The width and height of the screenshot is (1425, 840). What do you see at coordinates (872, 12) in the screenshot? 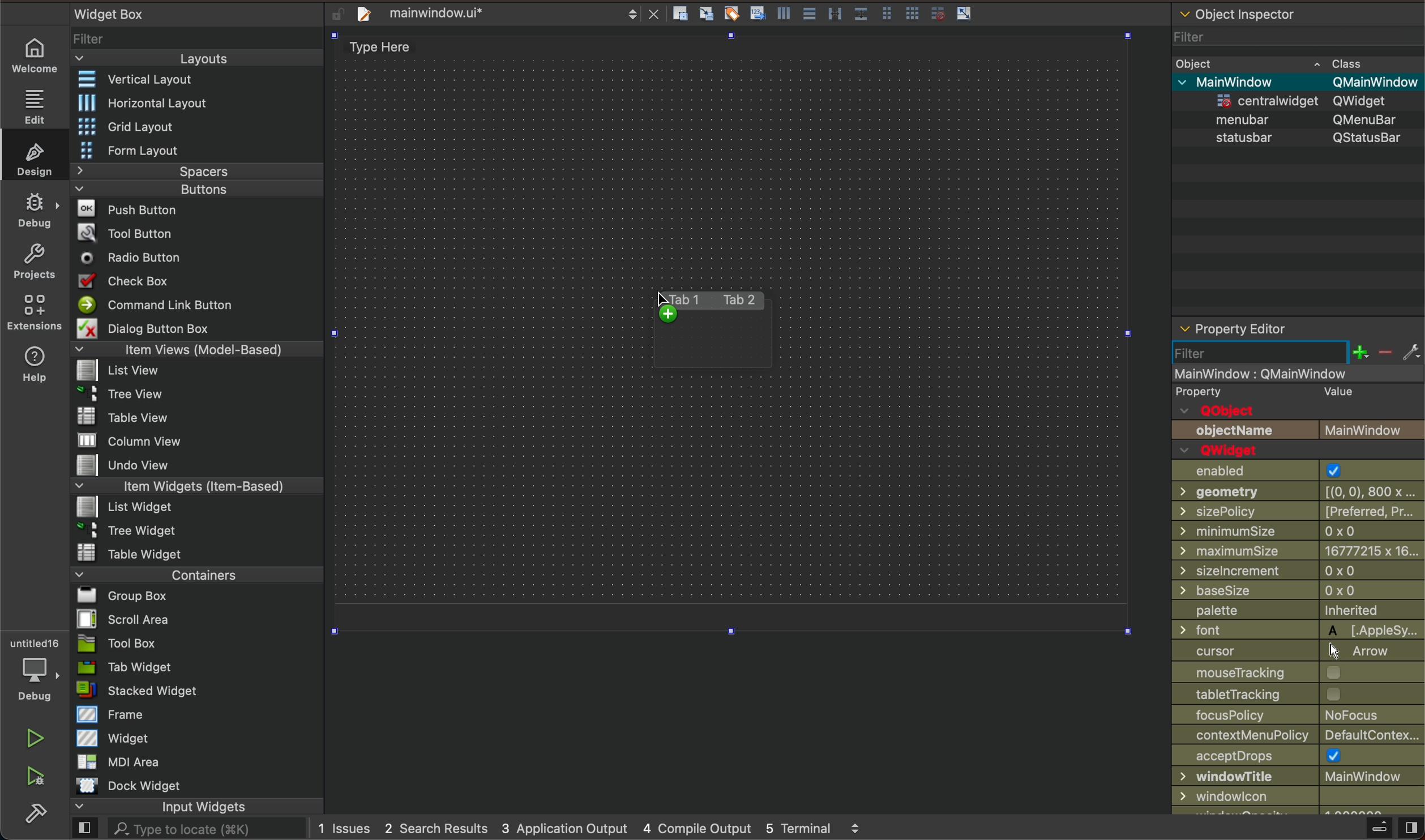
I see `layout actions` at bounding box center [872, 12].